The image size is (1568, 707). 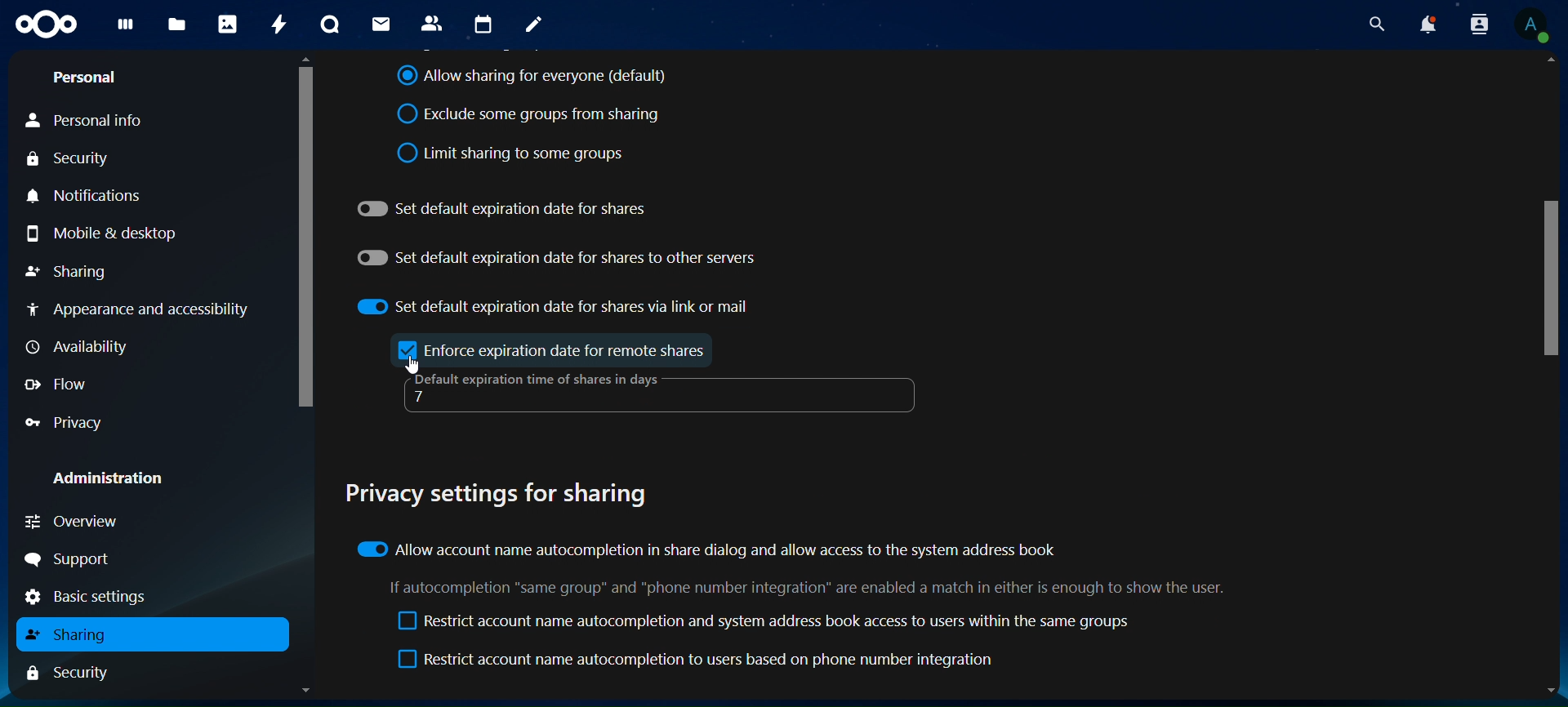 I want to click on text, so click(x=814, y=586).